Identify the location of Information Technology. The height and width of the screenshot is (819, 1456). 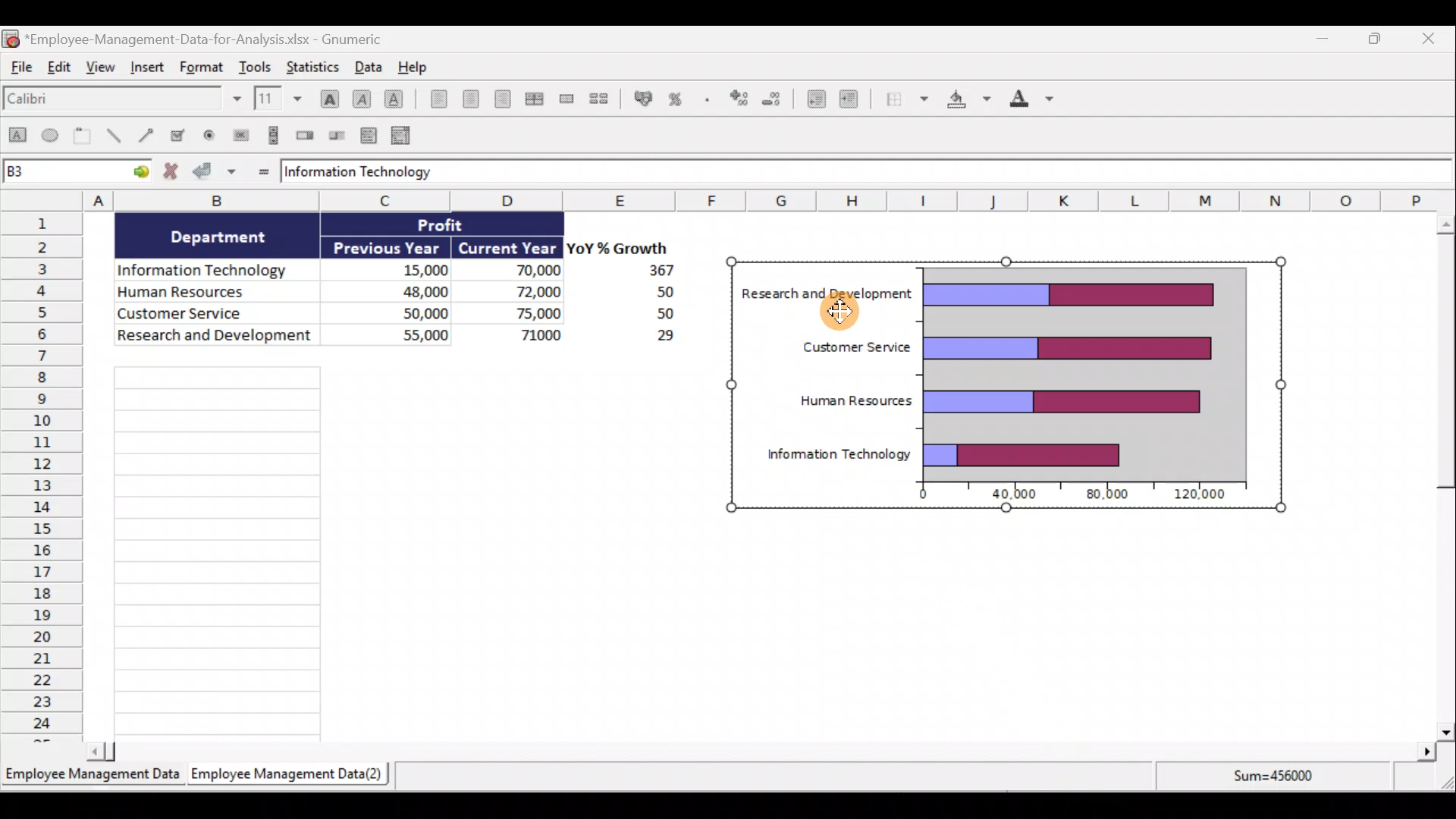
(362, 172).